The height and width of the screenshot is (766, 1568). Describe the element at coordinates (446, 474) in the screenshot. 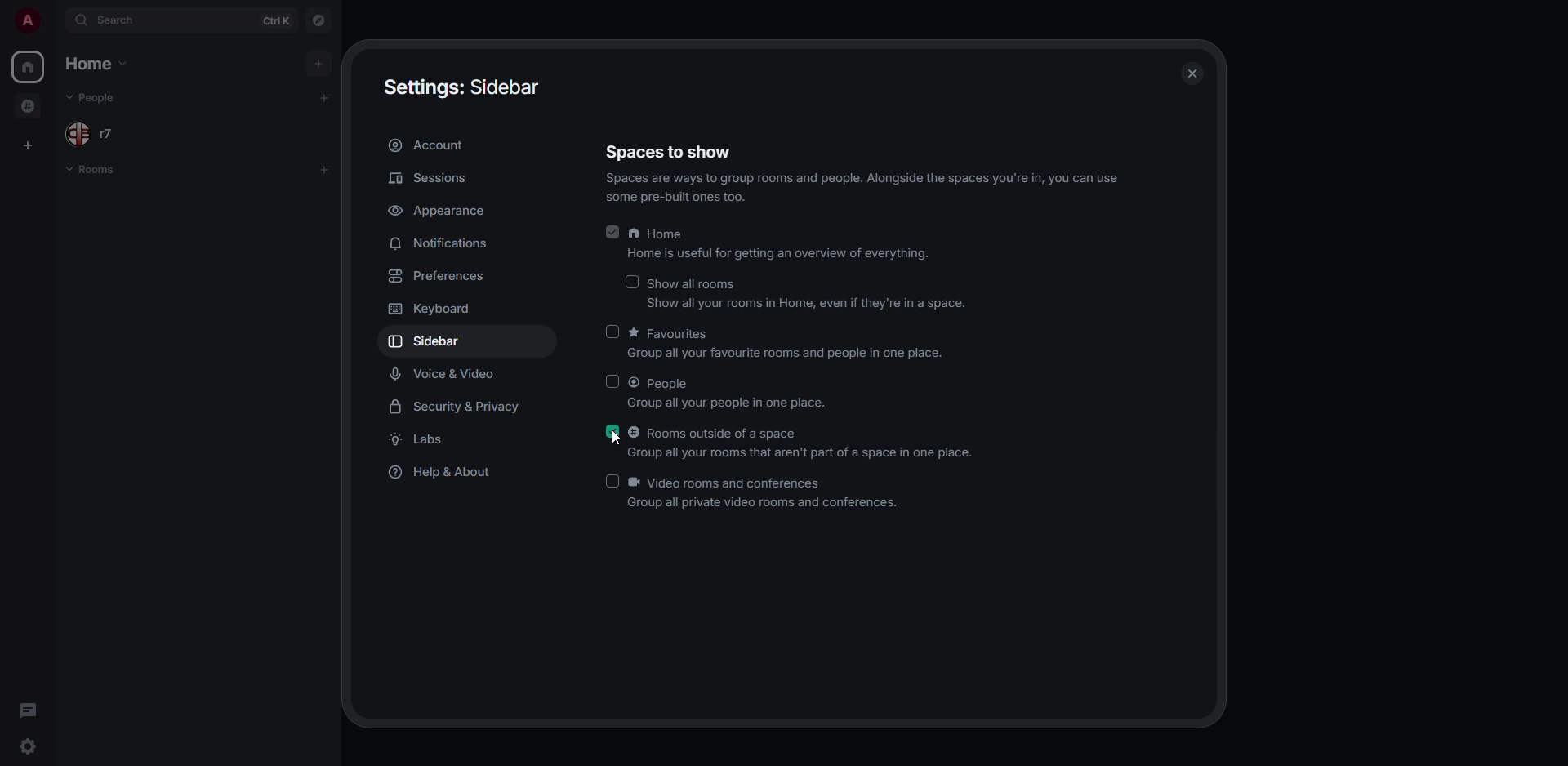

I see `help & about` at that location.